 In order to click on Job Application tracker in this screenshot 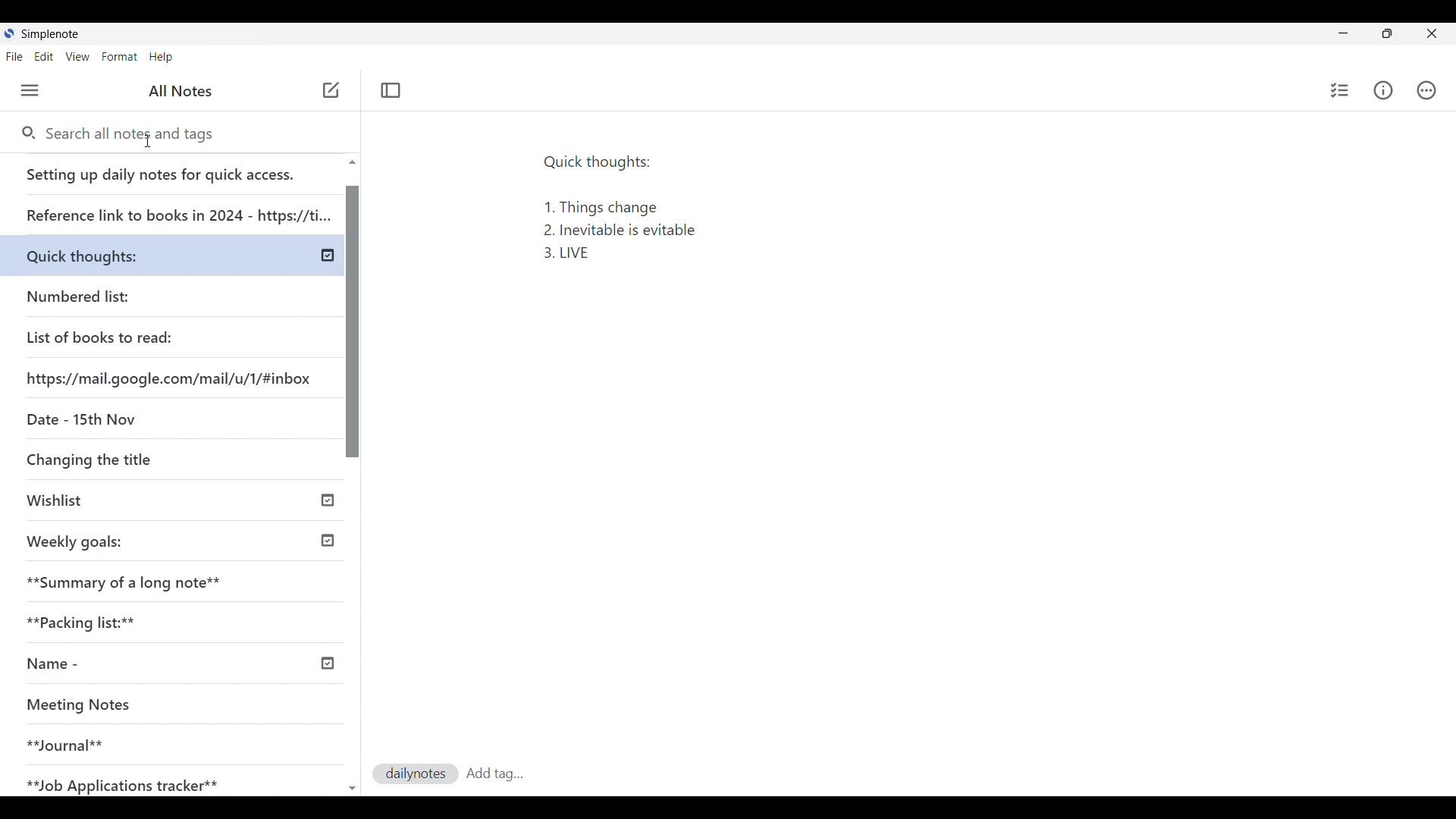, I will do `click(130, 782)`.